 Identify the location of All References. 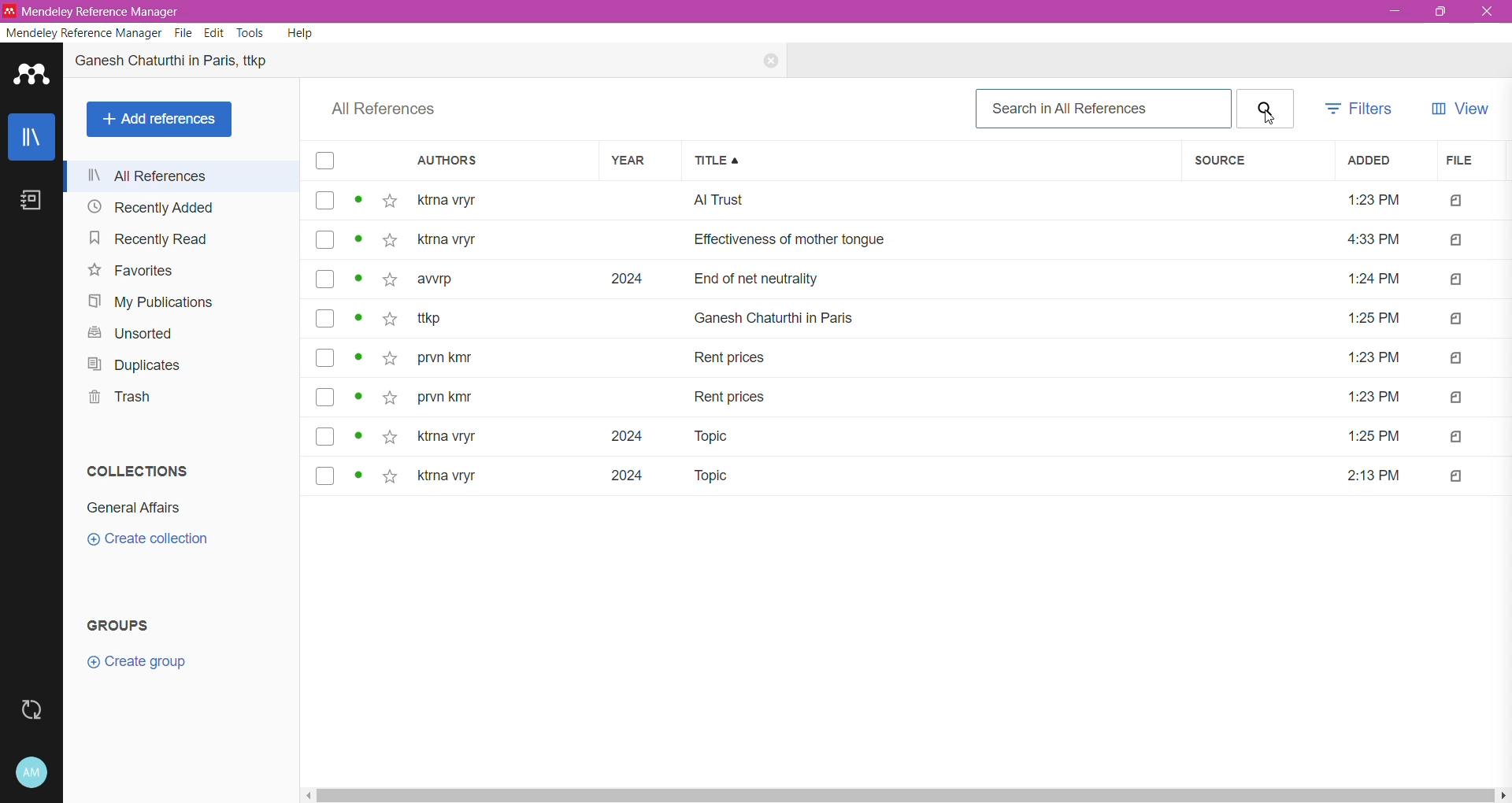
(185, 176).